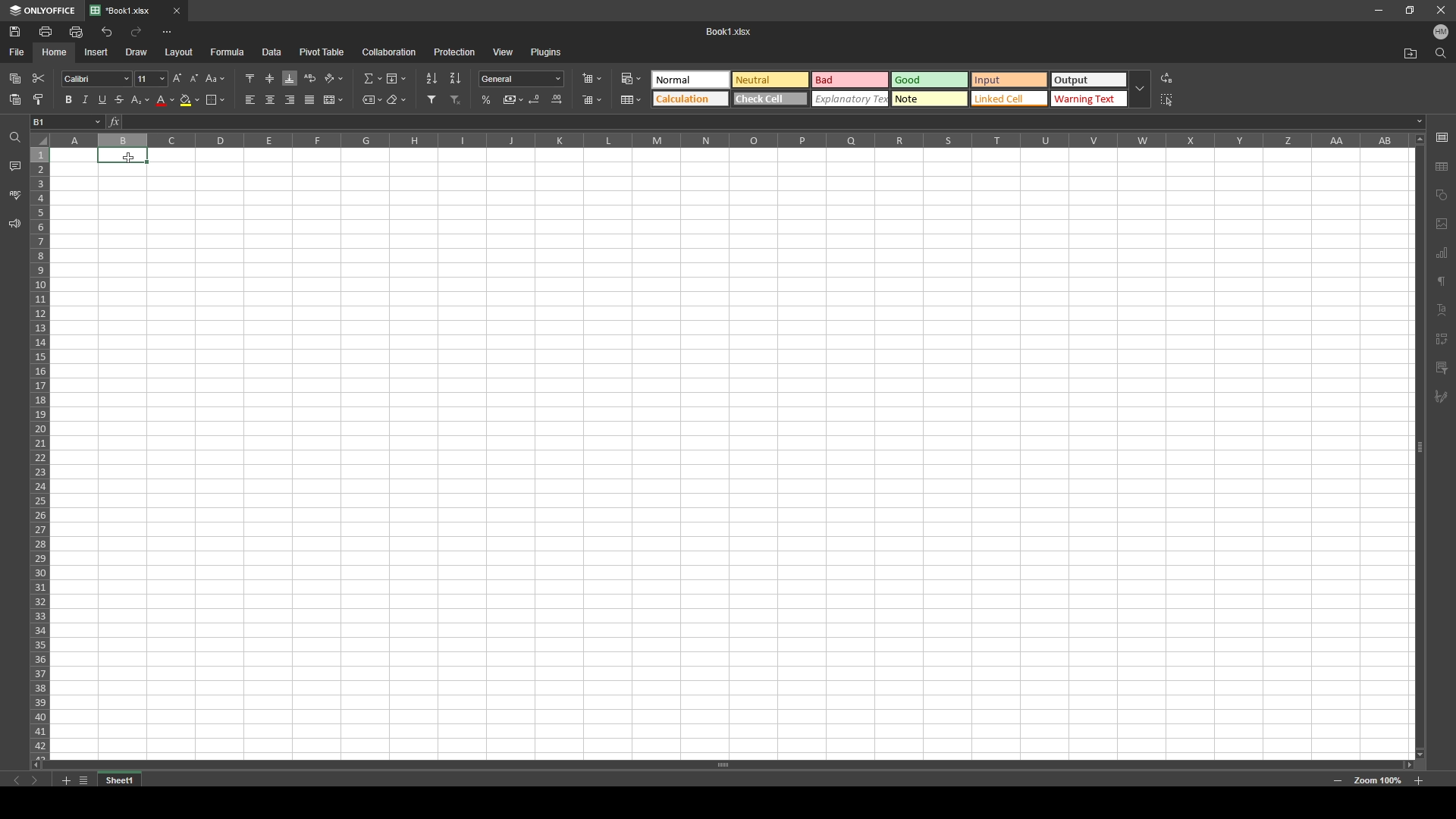  I want to click on conditional formatting, so click(634, 77).